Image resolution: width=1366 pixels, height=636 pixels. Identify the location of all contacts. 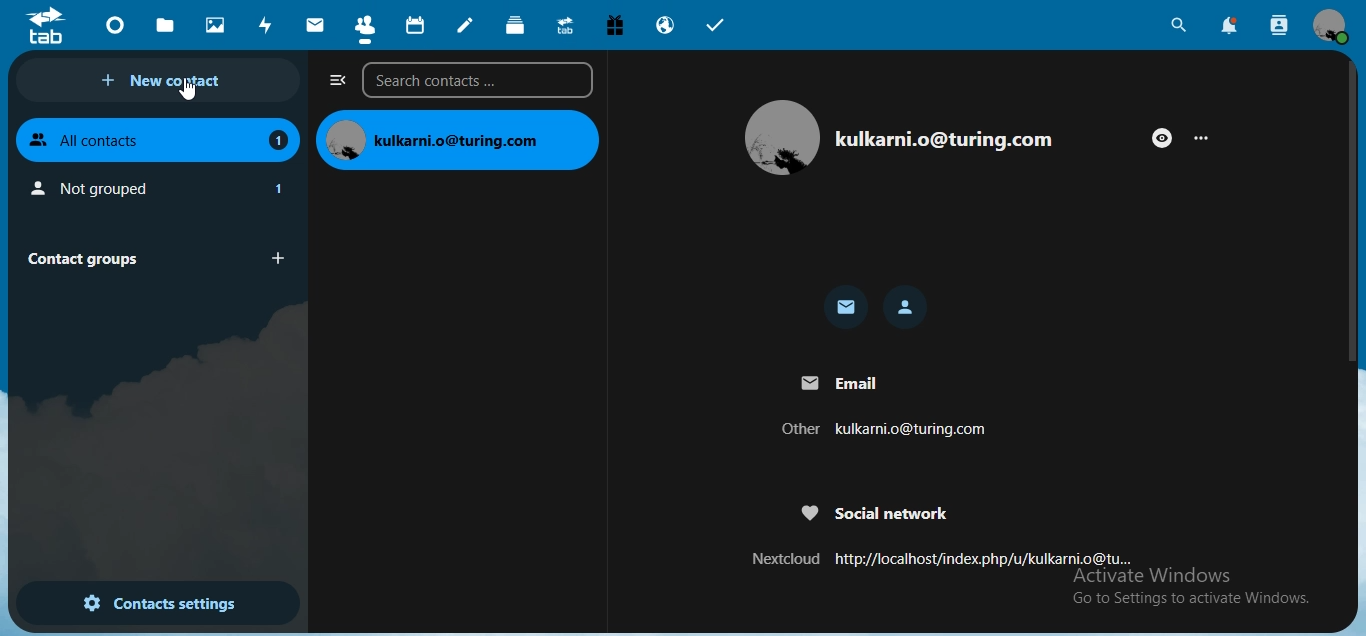
(157, 139).